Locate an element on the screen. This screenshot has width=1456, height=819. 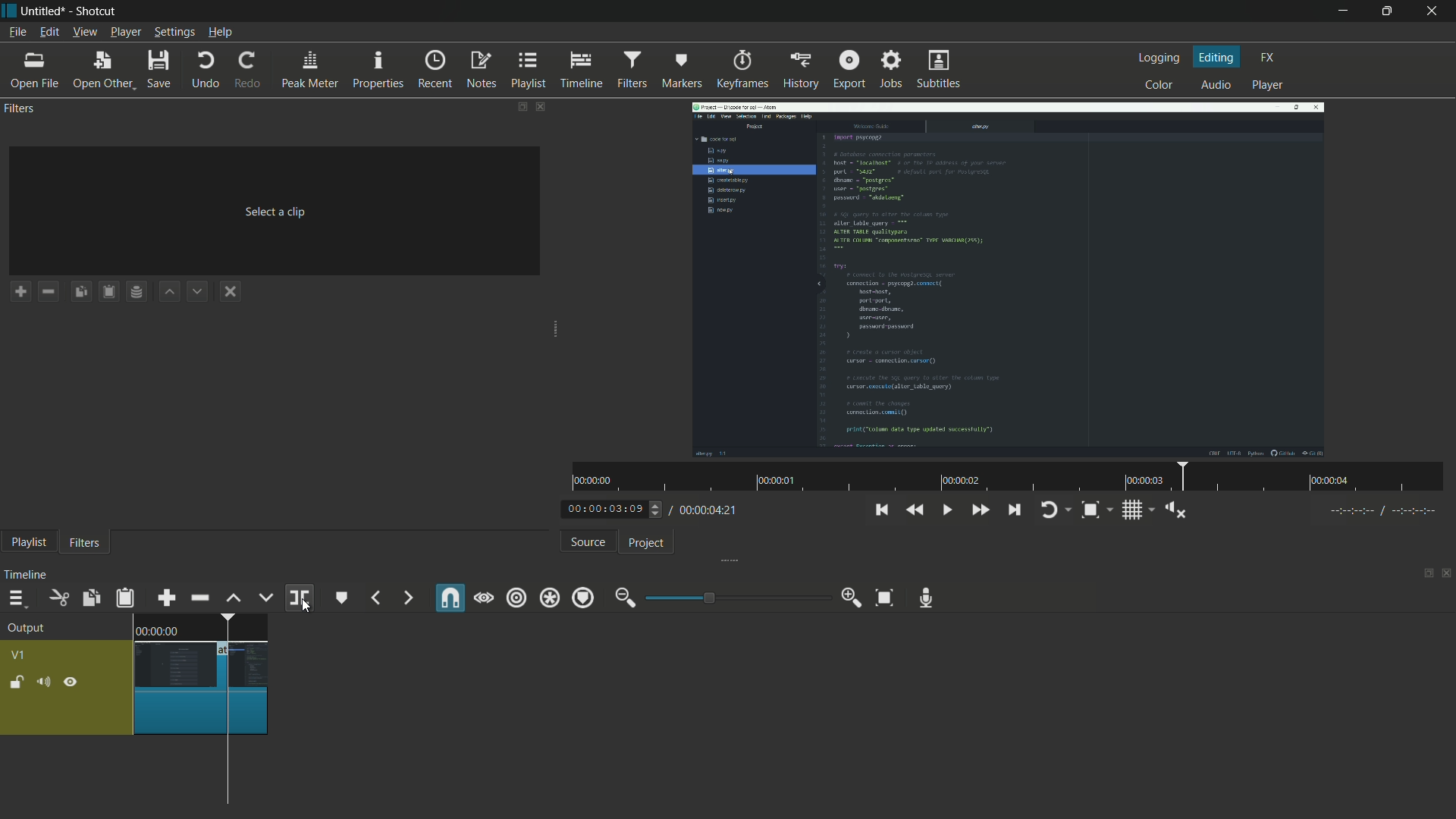
edit menu is located at coordinates (49, 33).